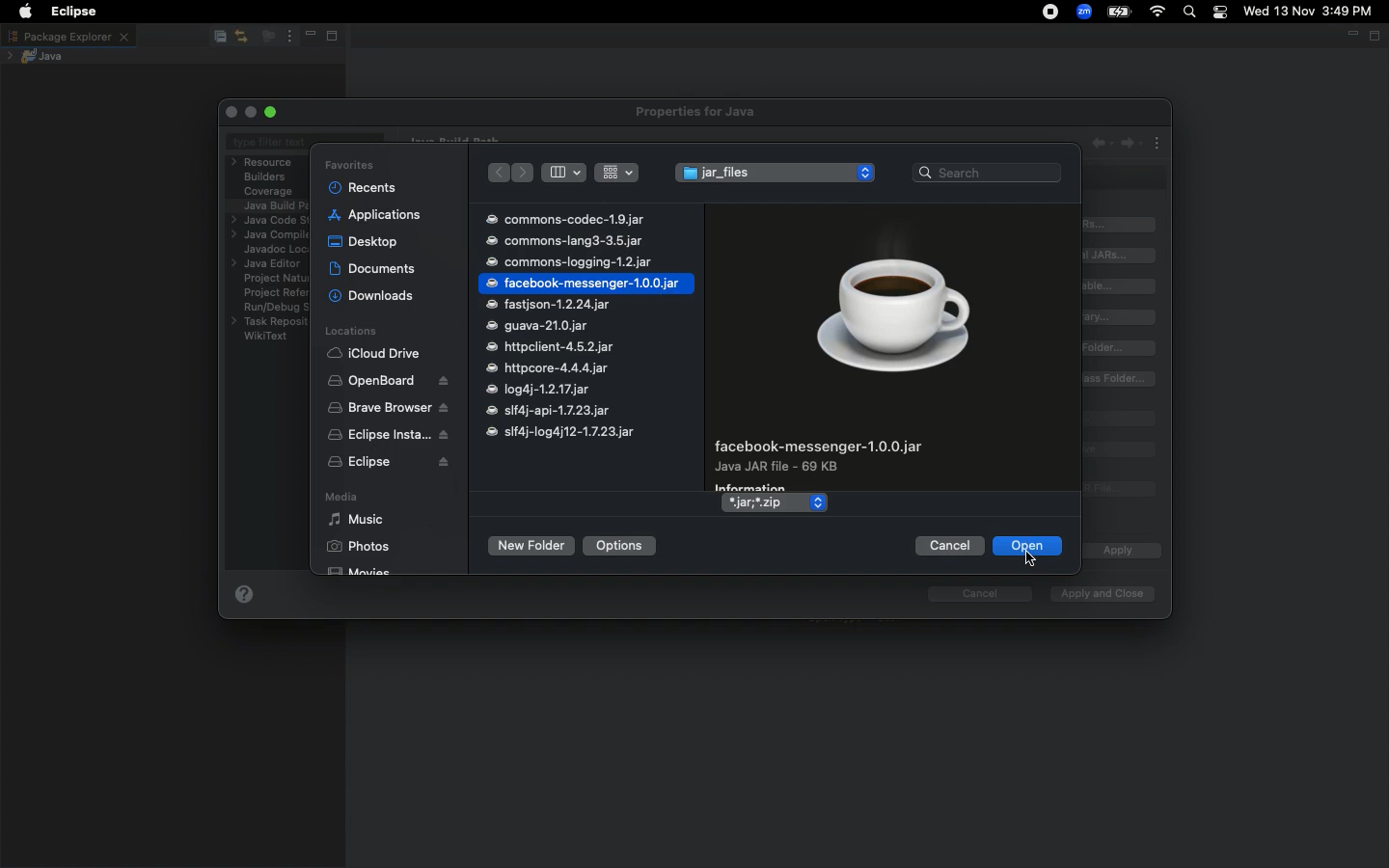  What do you see at coordinates (1190, 14) in the screenshot?
I see `Search` at bounding box center [1190, 14].